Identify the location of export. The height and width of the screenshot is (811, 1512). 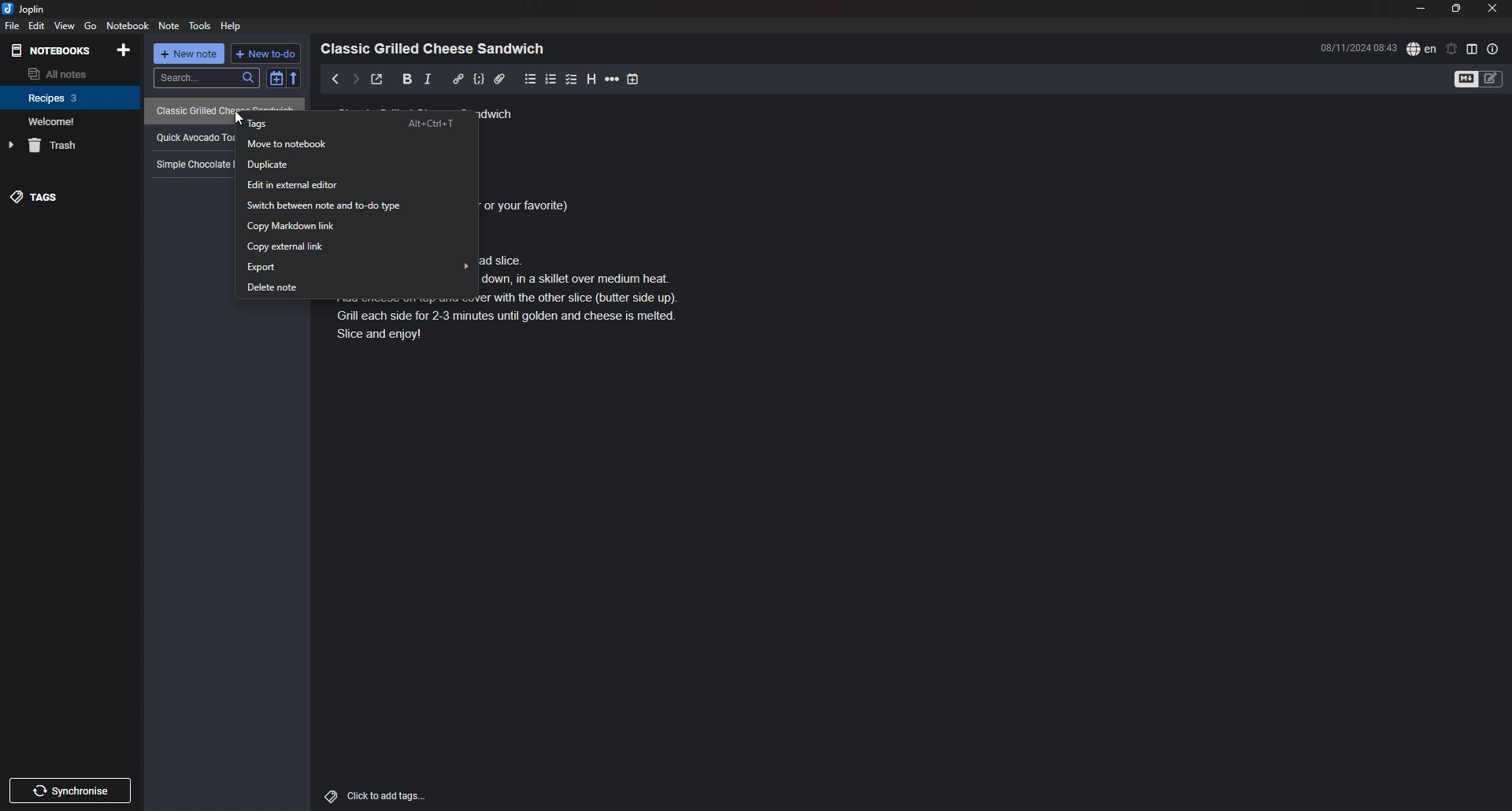
(358, 266).